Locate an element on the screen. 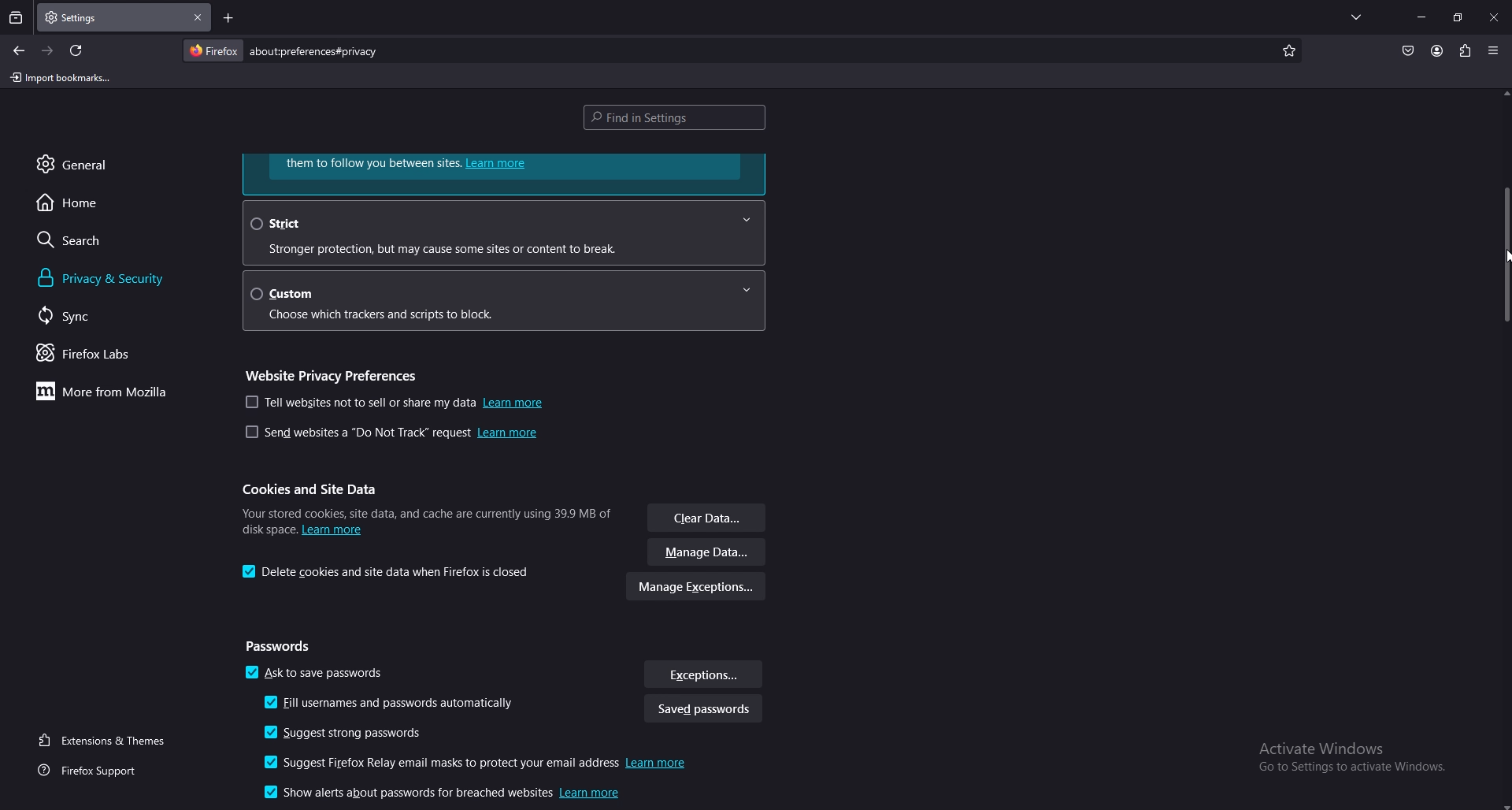 The image size is (1512, 810). firefox is located at coordinates (213, 50).